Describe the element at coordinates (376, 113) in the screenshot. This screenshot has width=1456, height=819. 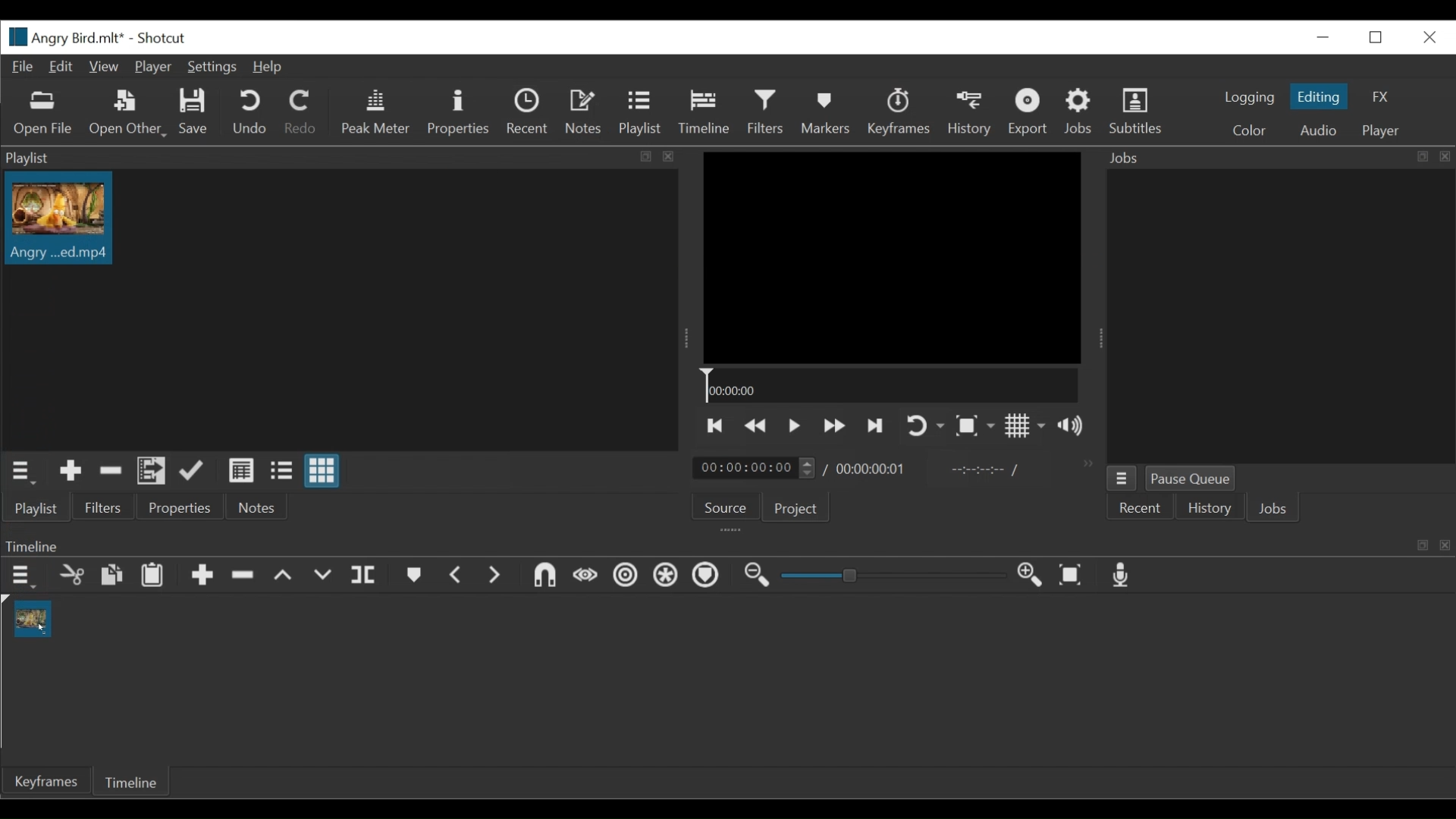
I see `Peak Meter` at that location.